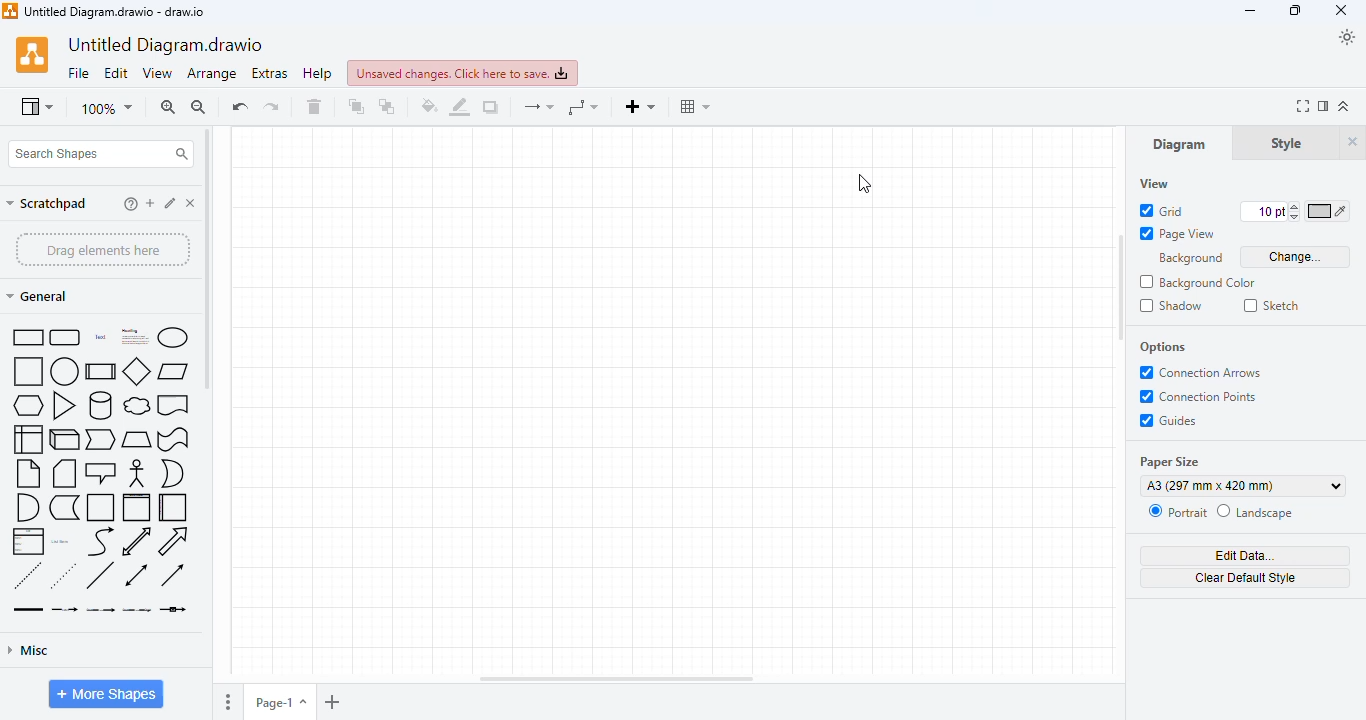 The height and width of the screenshot is (720, 1366). I want to click on circle, so click(64, 371).